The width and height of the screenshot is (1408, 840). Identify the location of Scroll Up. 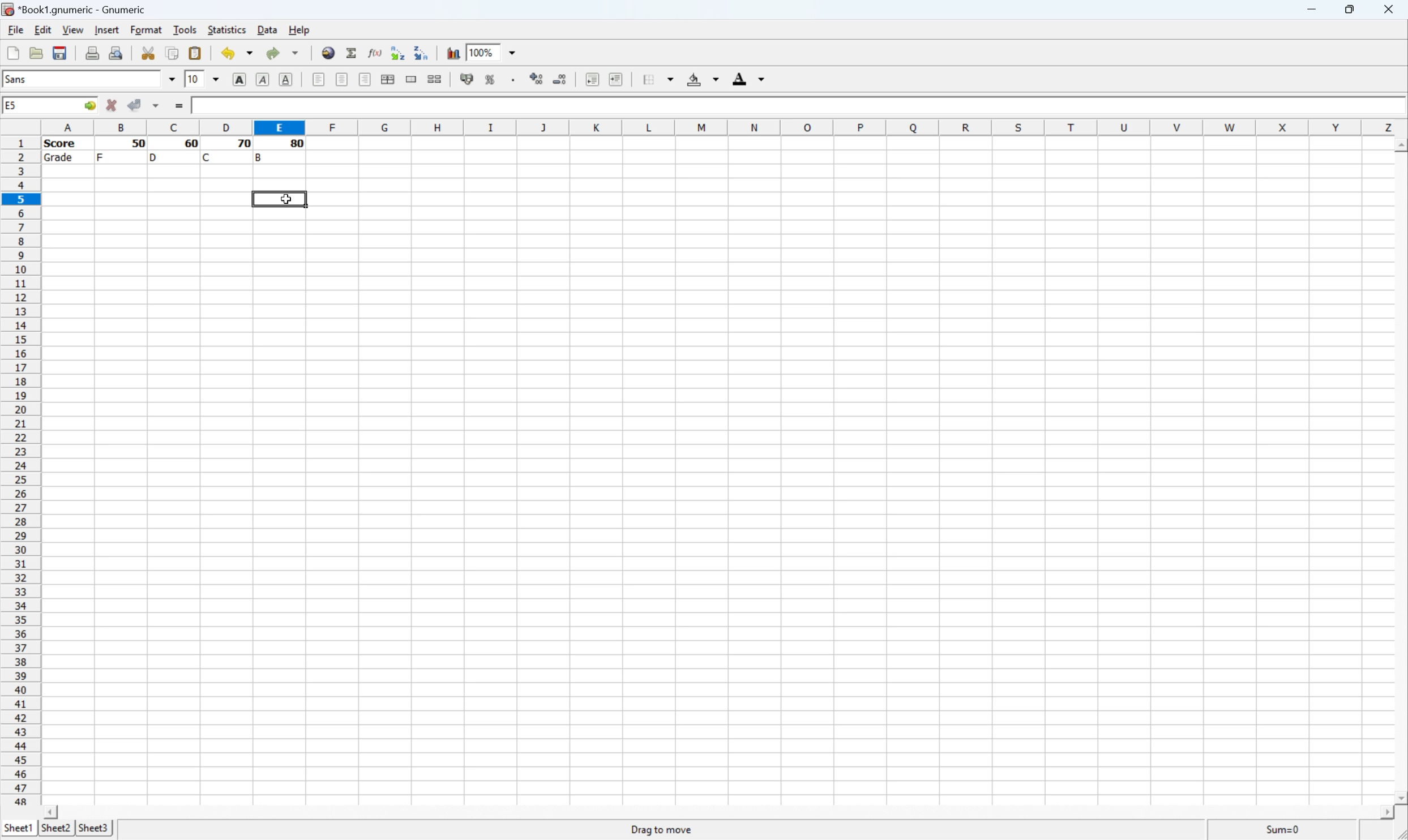
(1399, 145).